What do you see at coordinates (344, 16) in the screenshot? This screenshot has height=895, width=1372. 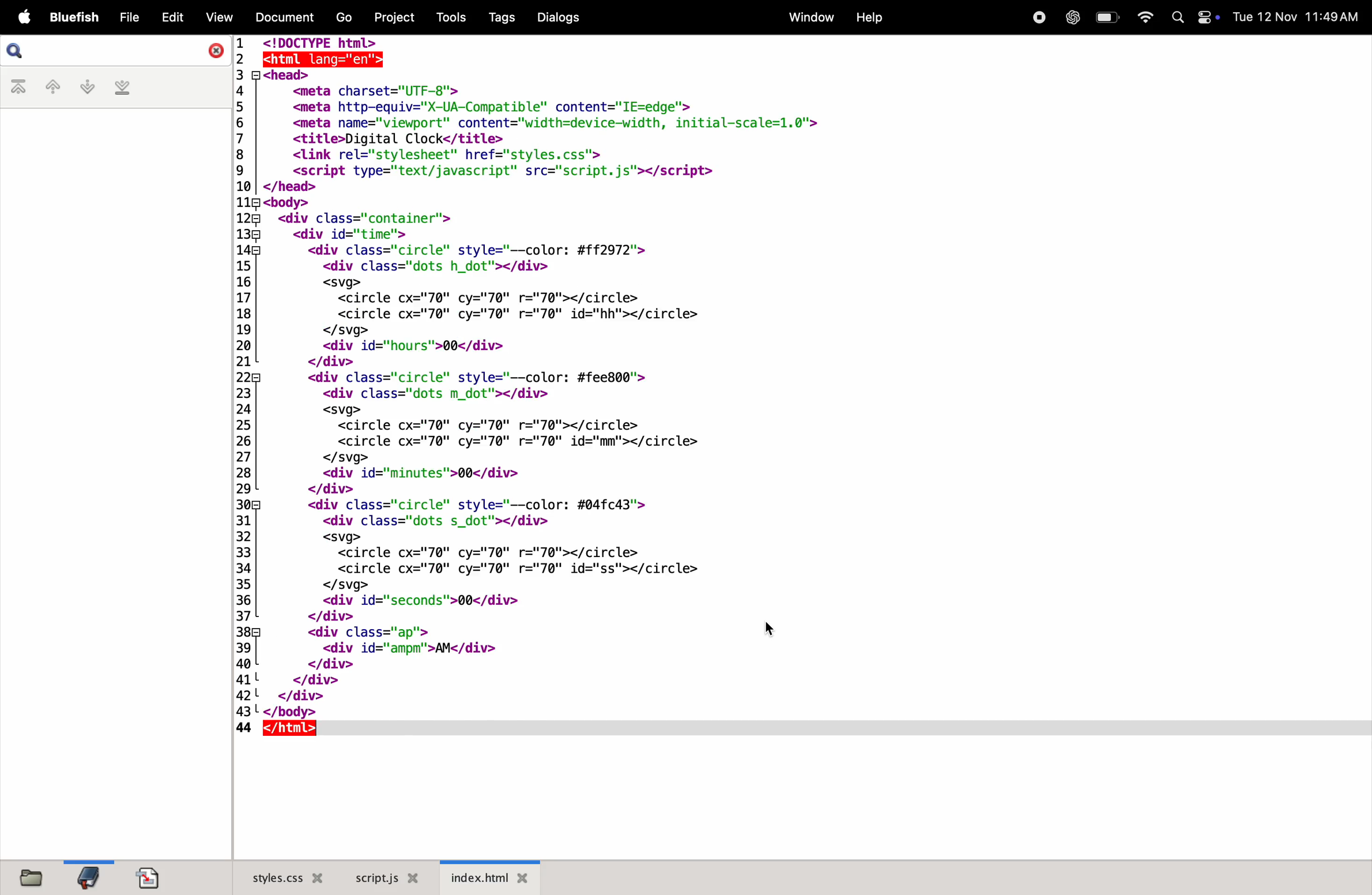 I see `go` at bounding box center [344, 16].